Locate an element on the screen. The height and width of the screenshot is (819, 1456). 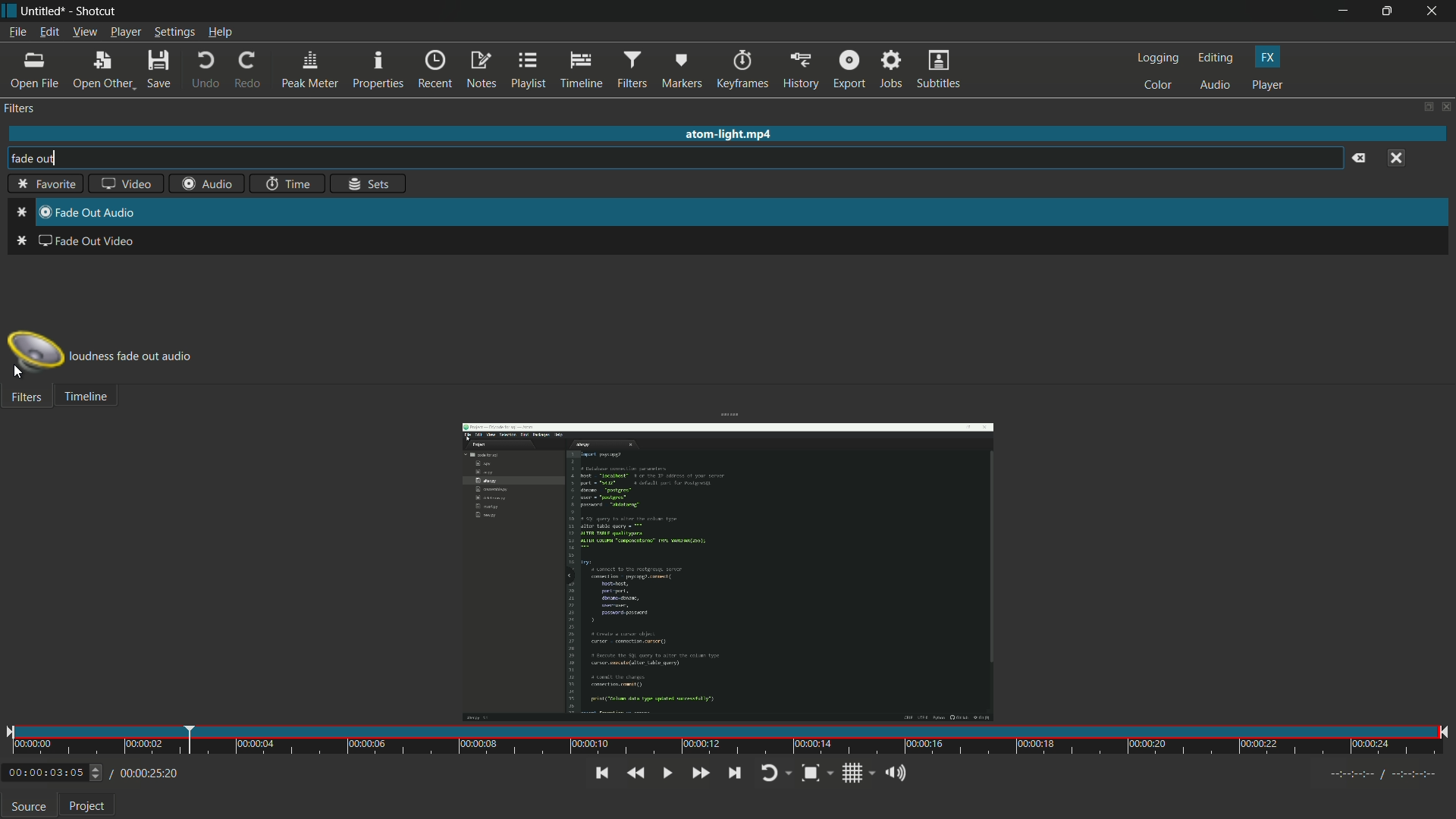
fade out is located at coordinates (24, 158).